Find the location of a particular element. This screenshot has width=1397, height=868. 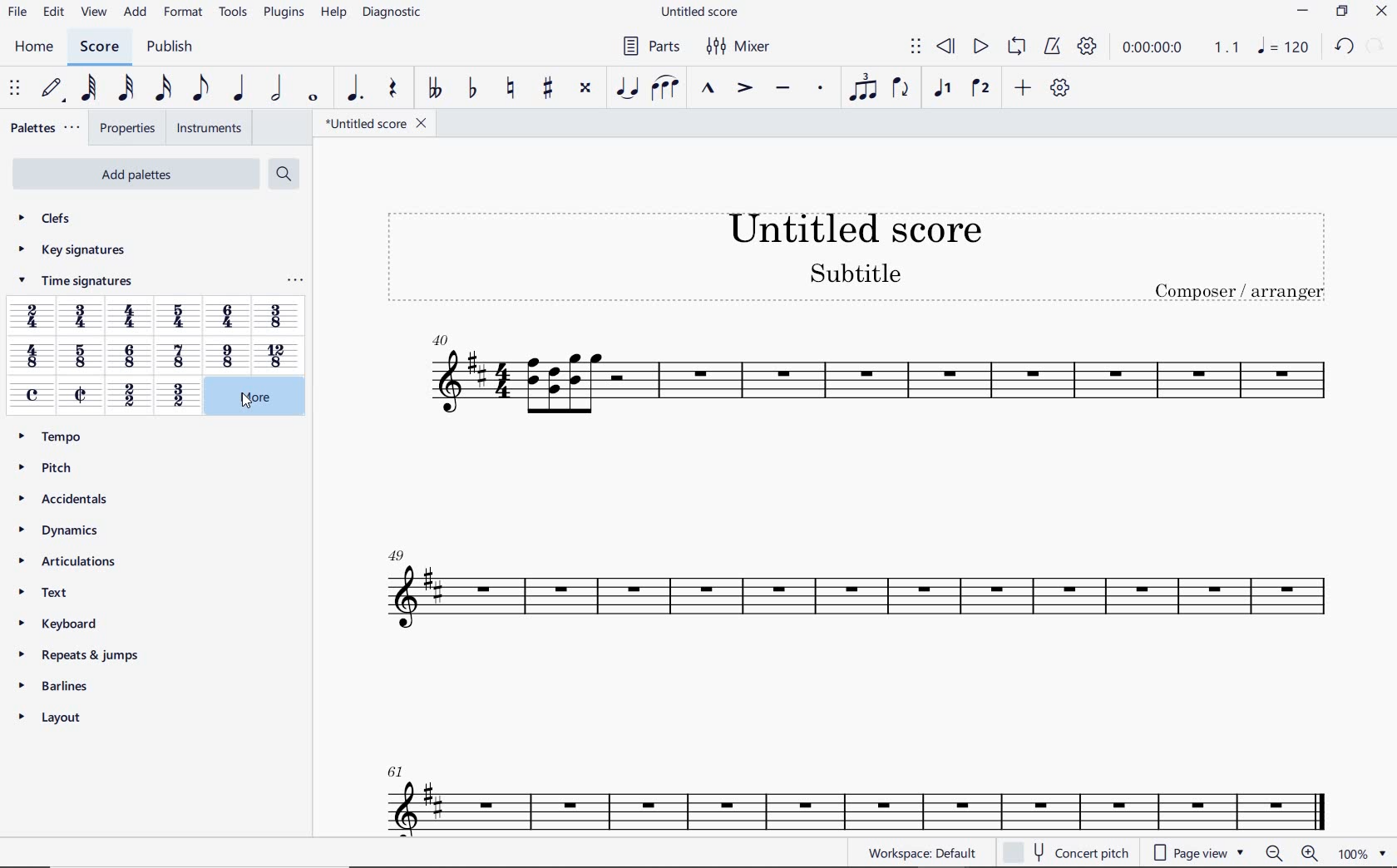

Palette Properties is located at coordinates (294, 284).